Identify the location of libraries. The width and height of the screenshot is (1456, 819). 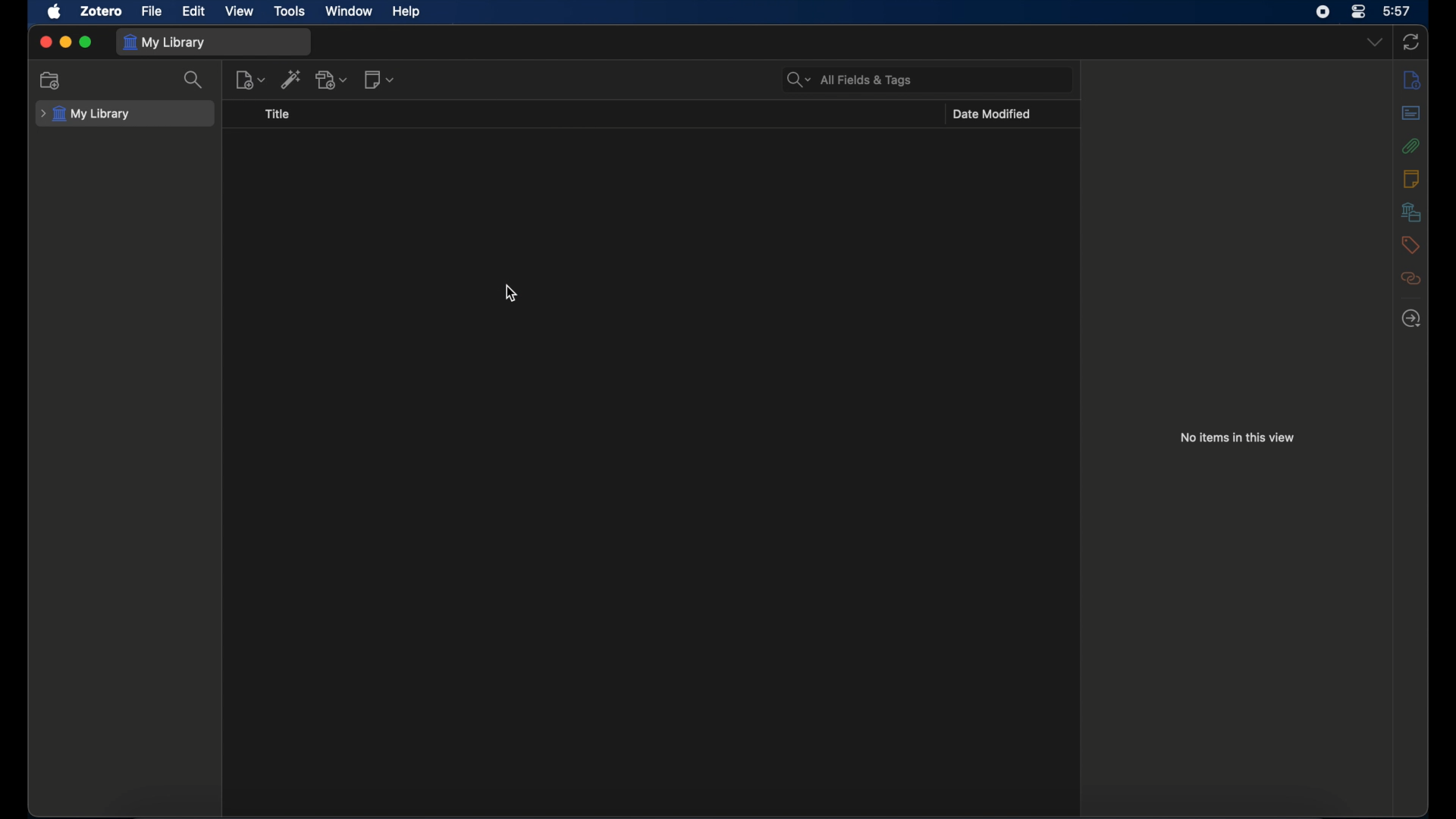
(1410, 212).